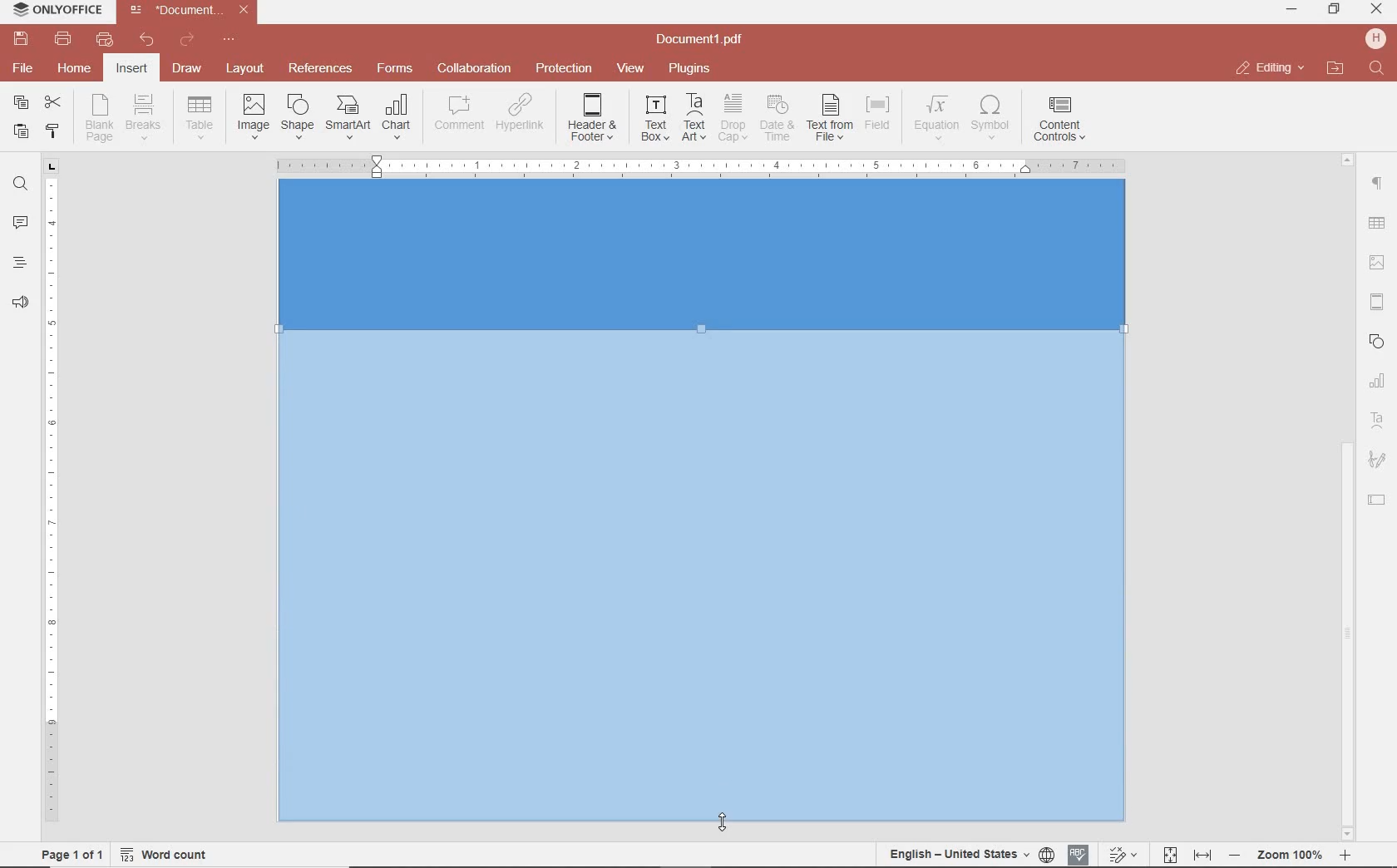  What do you see at coordinates (53, 11) in the screenshot?
I see `system name` at bounding box center [53, 11].